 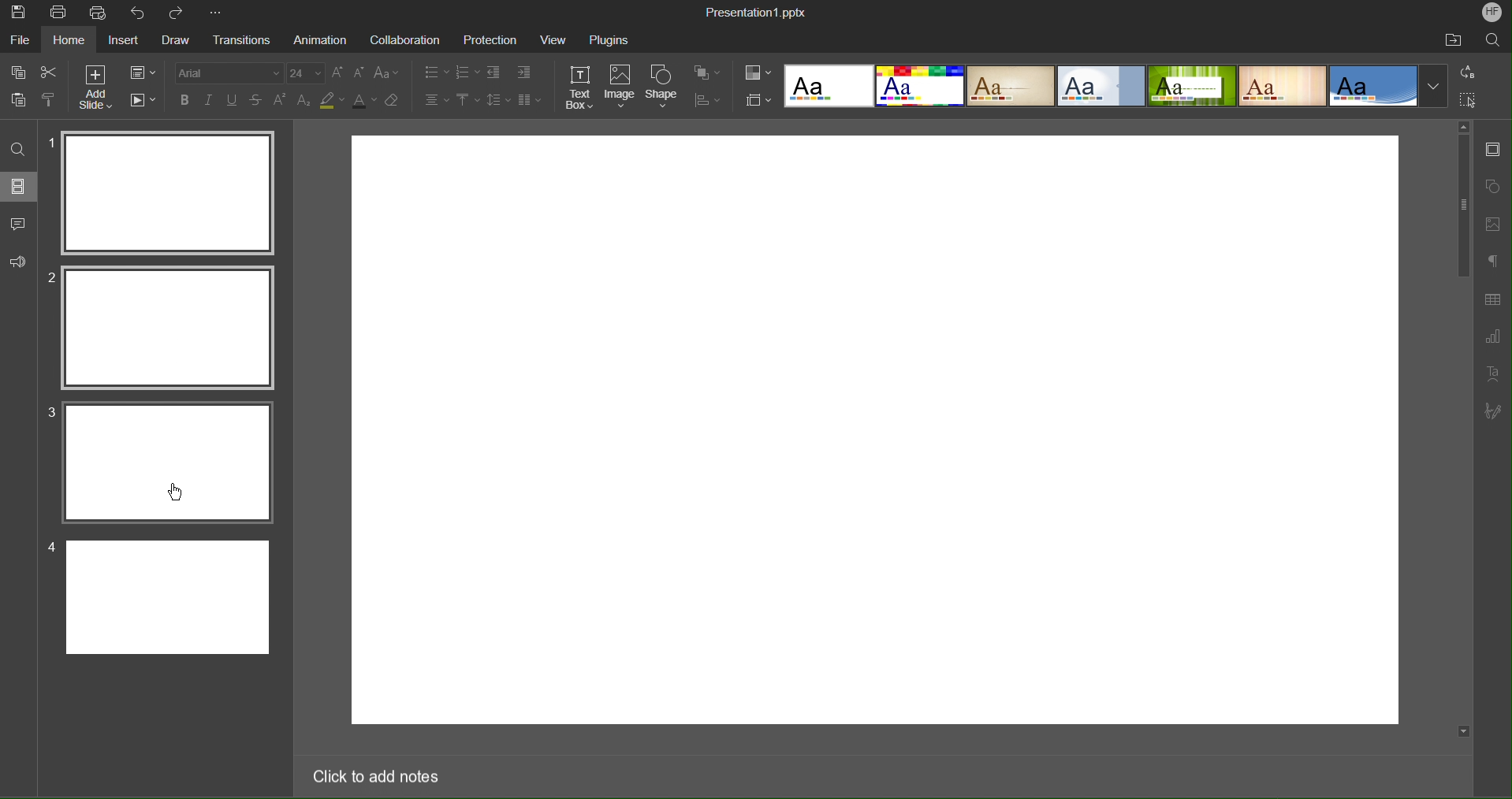 I want to click on Templates, so click(x=1119, y=86).